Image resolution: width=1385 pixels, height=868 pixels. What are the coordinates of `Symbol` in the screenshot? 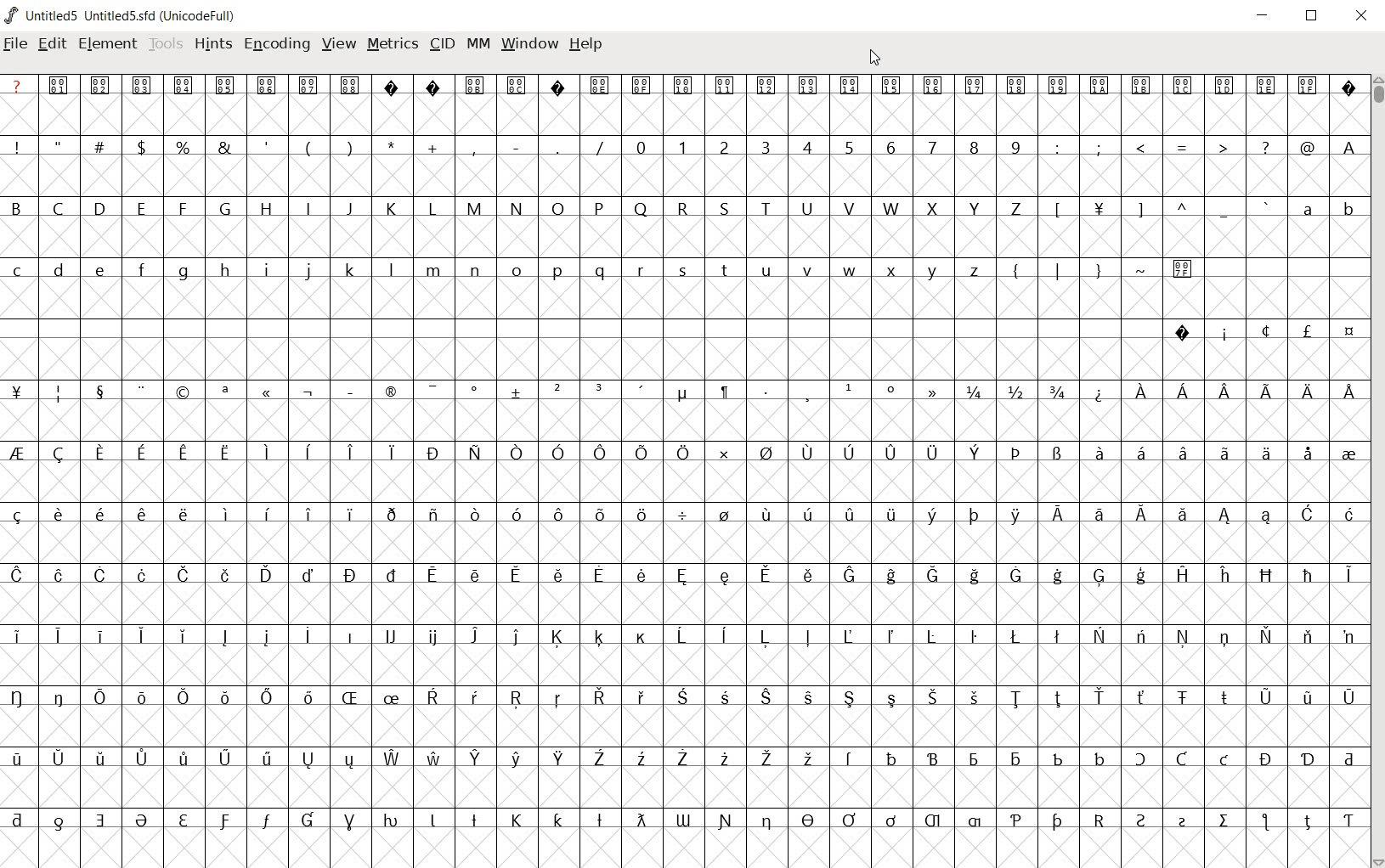 It's located at (1098, 211).